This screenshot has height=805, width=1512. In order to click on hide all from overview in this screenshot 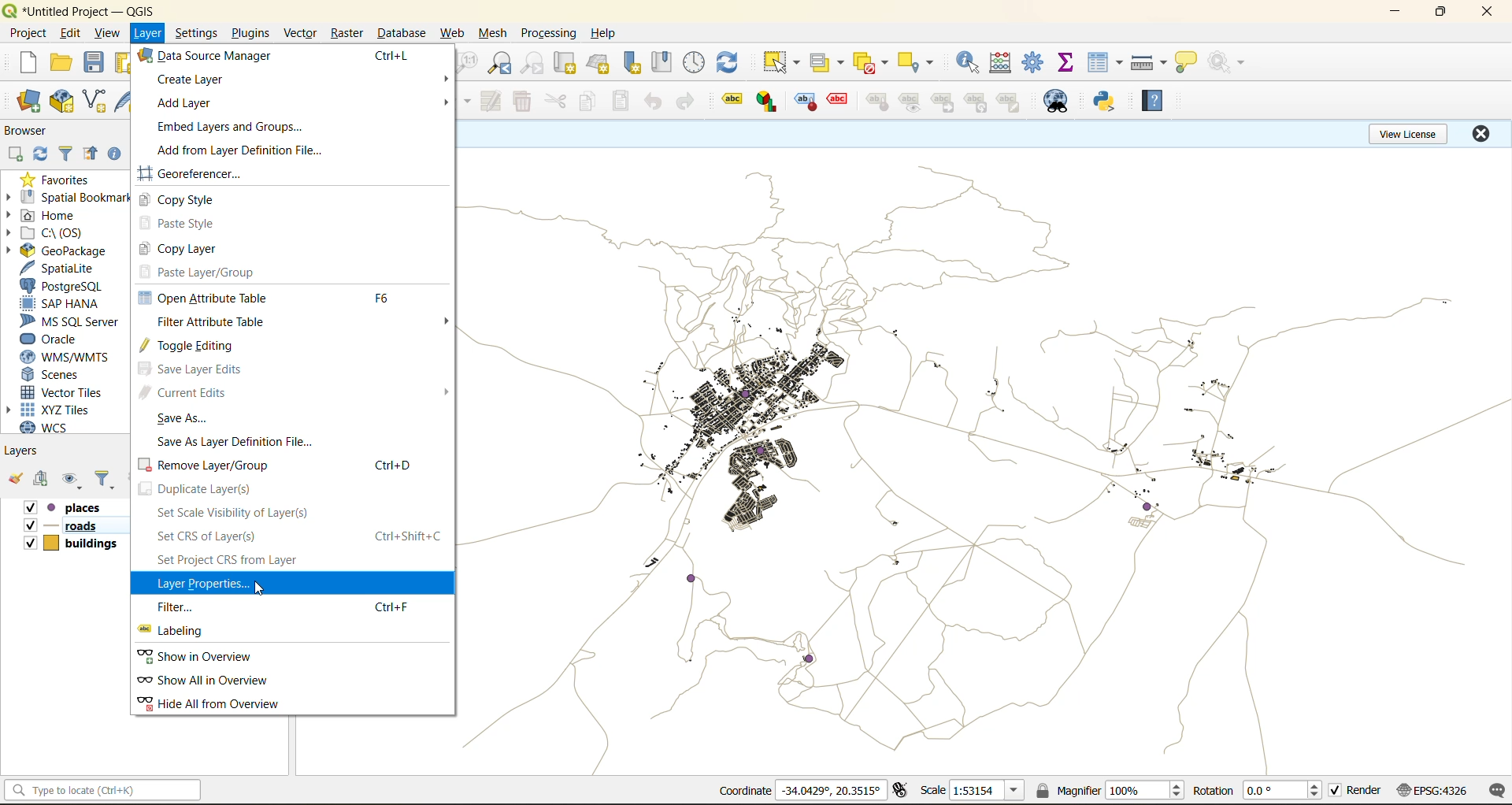, I will do `click(221, 703)`.